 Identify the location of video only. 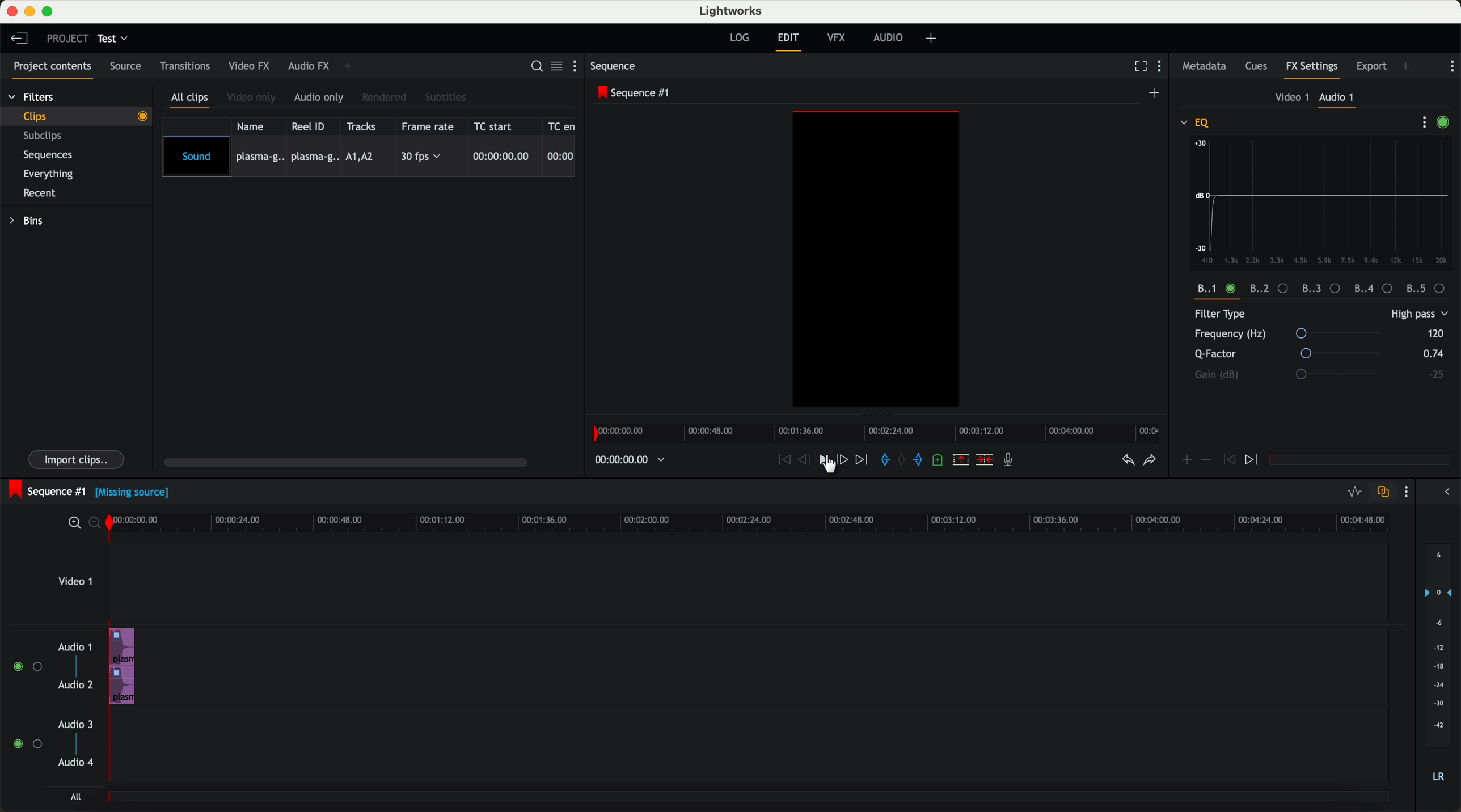
(254, 98).